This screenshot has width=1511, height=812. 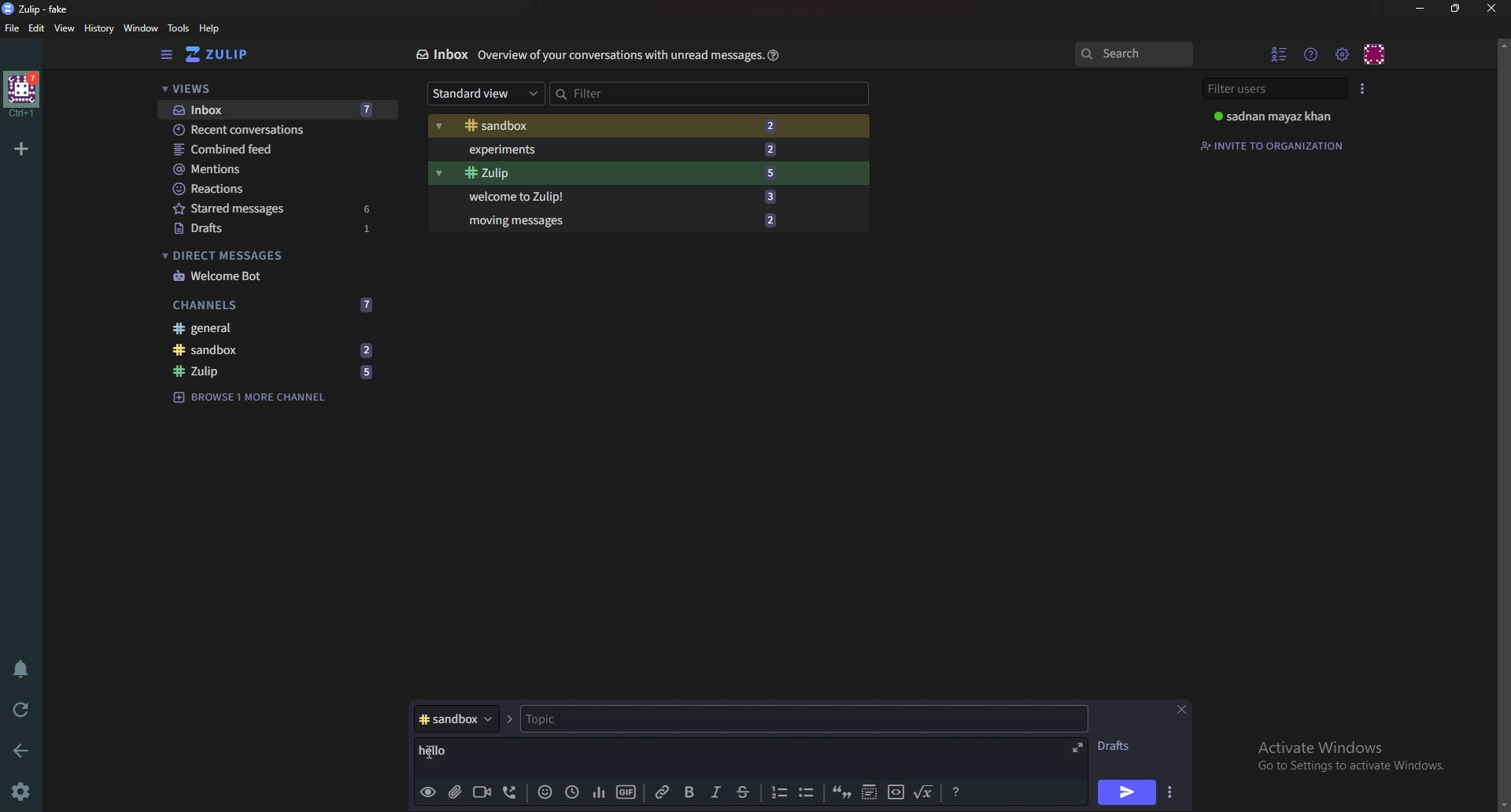 I want to click on File, so click(x=13, y=28).